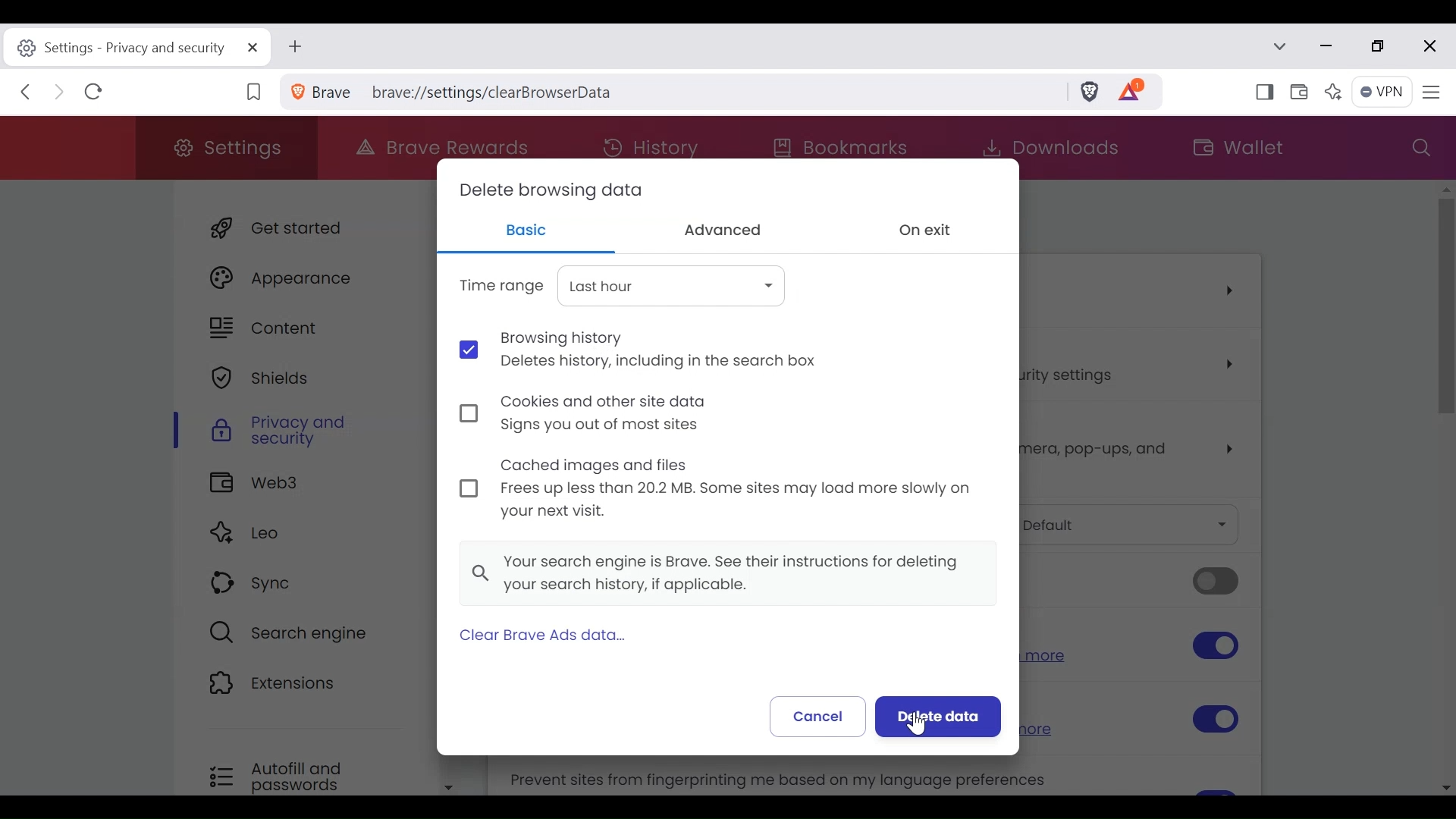 The width and height of the screenshot is (1456, 819). I want to click on History, so click(657, 146).